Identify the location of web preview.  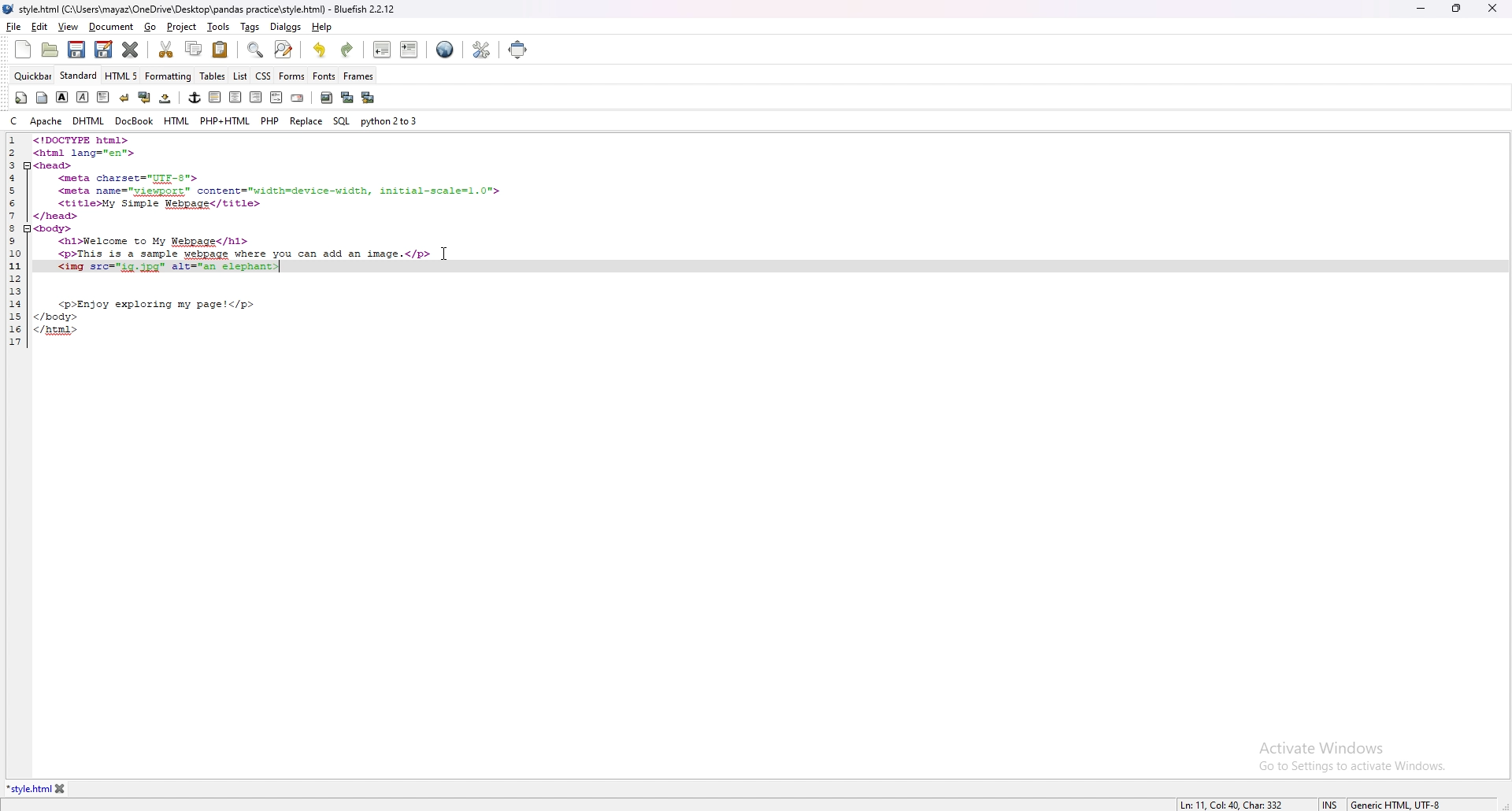
(447, 50).